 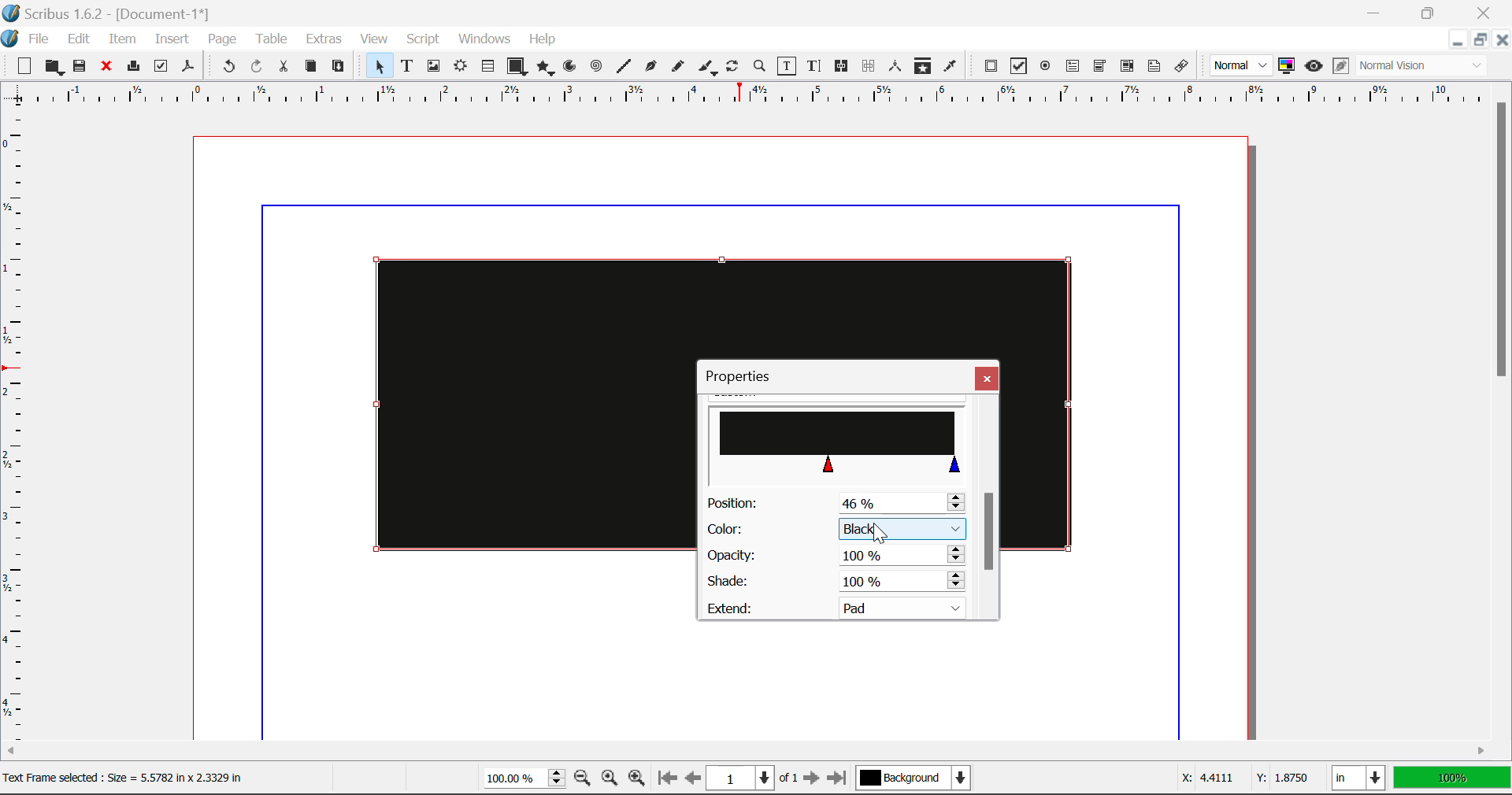 I want to click on New, so click(x=20, y=67).